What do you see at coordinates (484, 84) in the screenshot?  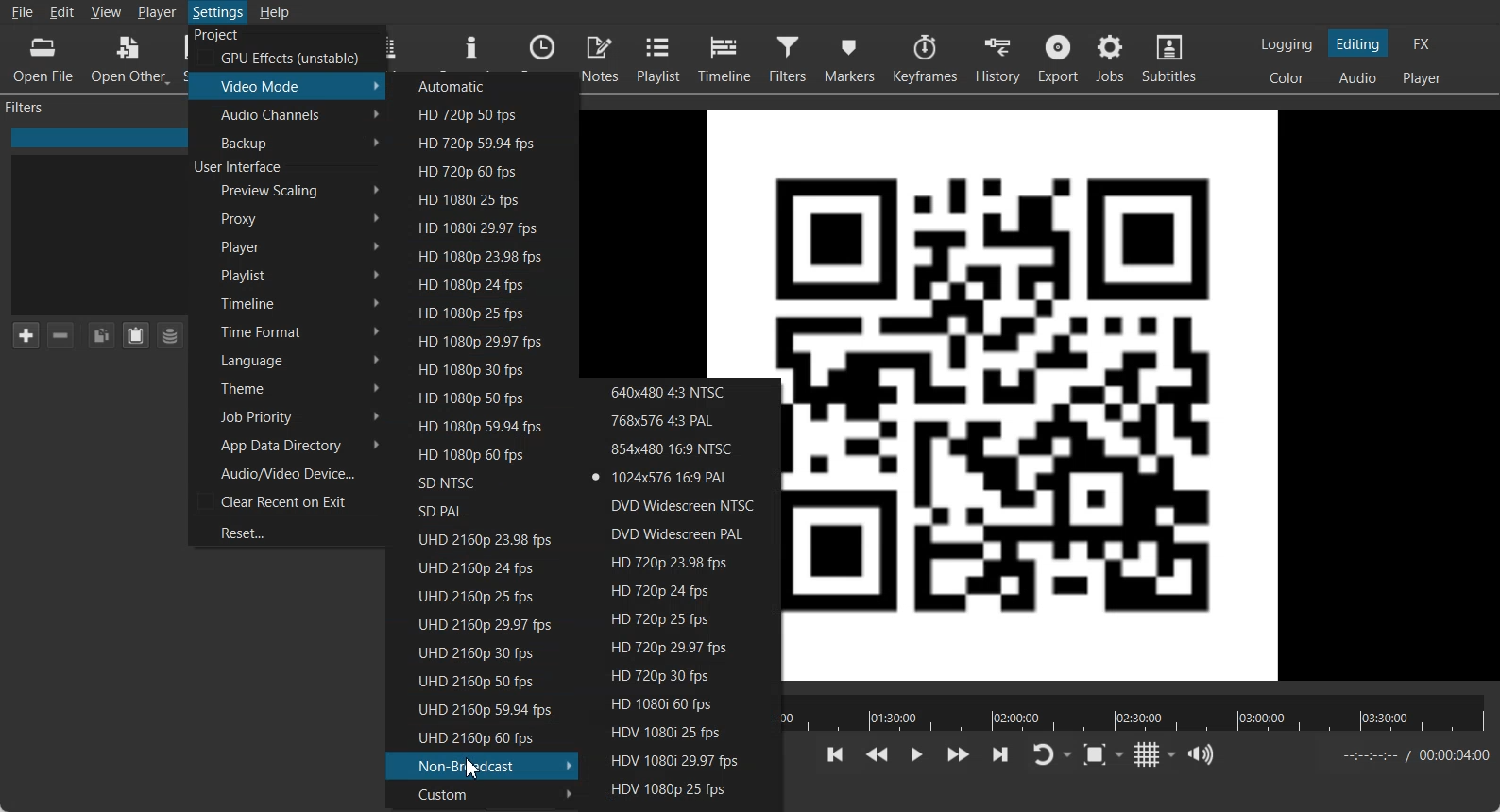 I see `Automatics` at bounding box center [484, 84].